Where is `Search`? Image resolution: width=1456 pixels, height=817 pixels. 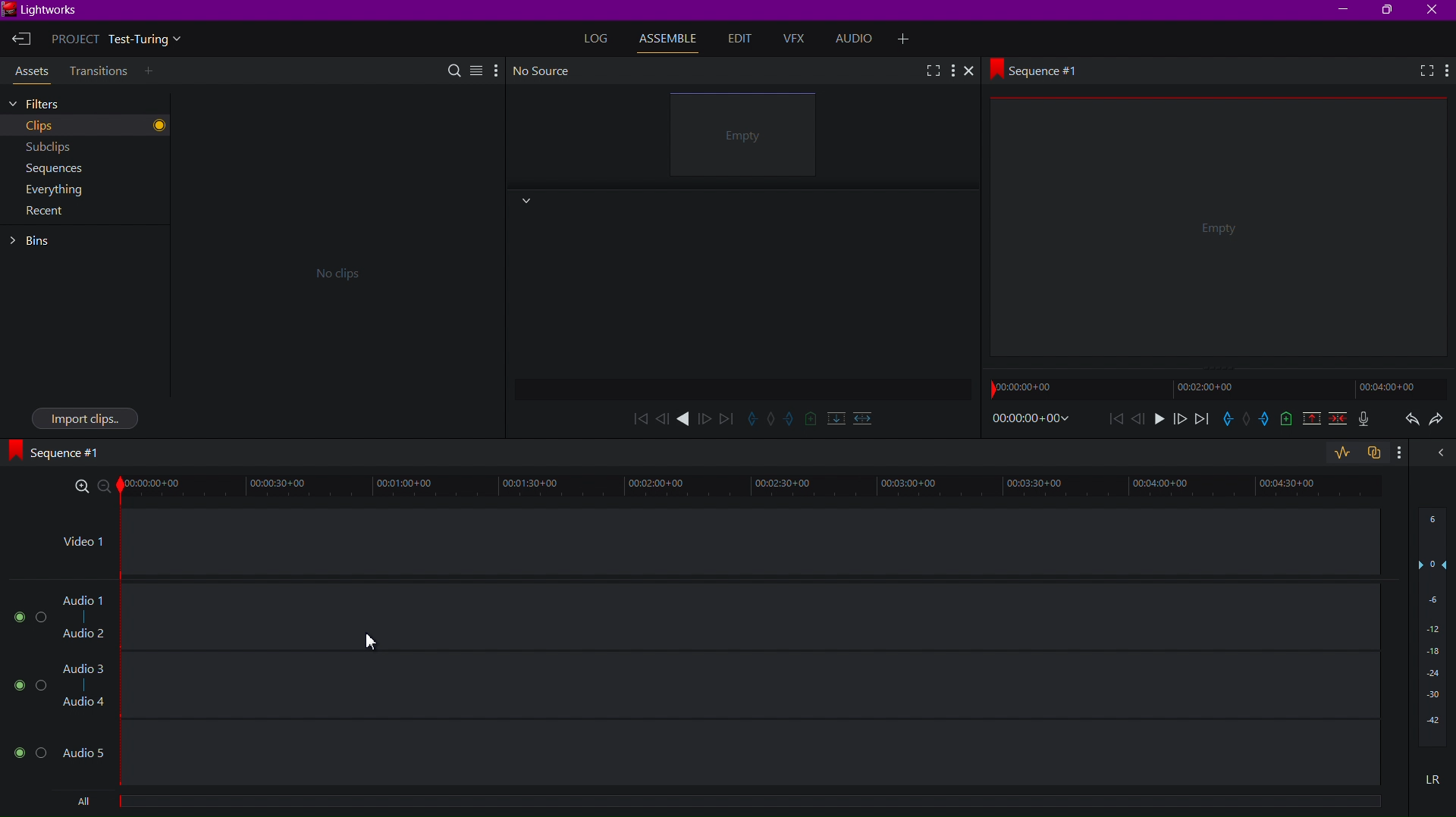 Search is located at coordinates (456, 69).